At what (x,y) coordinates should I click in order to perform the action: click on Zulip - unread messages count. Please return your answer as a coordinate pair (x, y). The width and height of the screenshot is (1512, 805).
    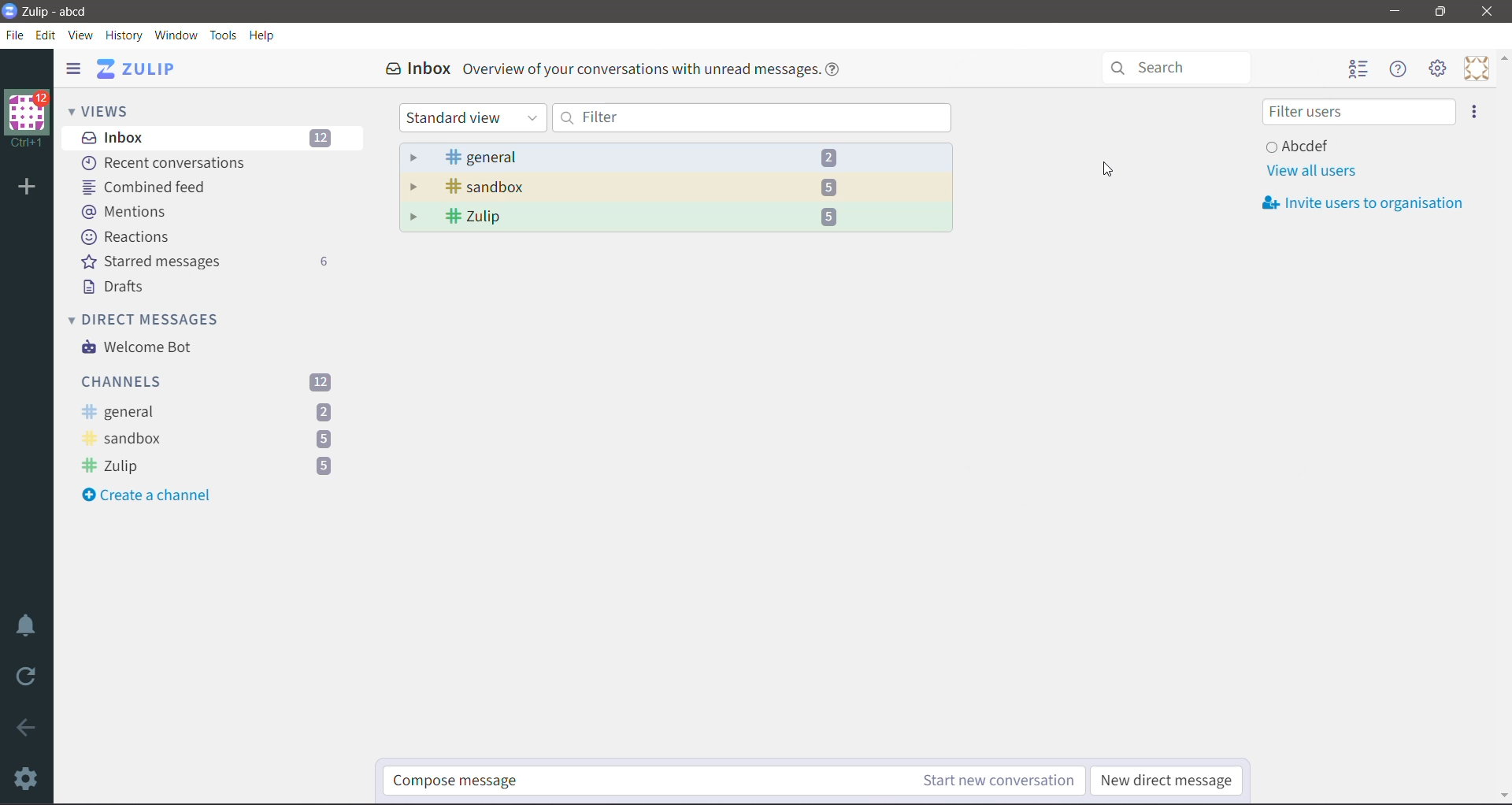
    Looking at the image, I should click on (209, 466).